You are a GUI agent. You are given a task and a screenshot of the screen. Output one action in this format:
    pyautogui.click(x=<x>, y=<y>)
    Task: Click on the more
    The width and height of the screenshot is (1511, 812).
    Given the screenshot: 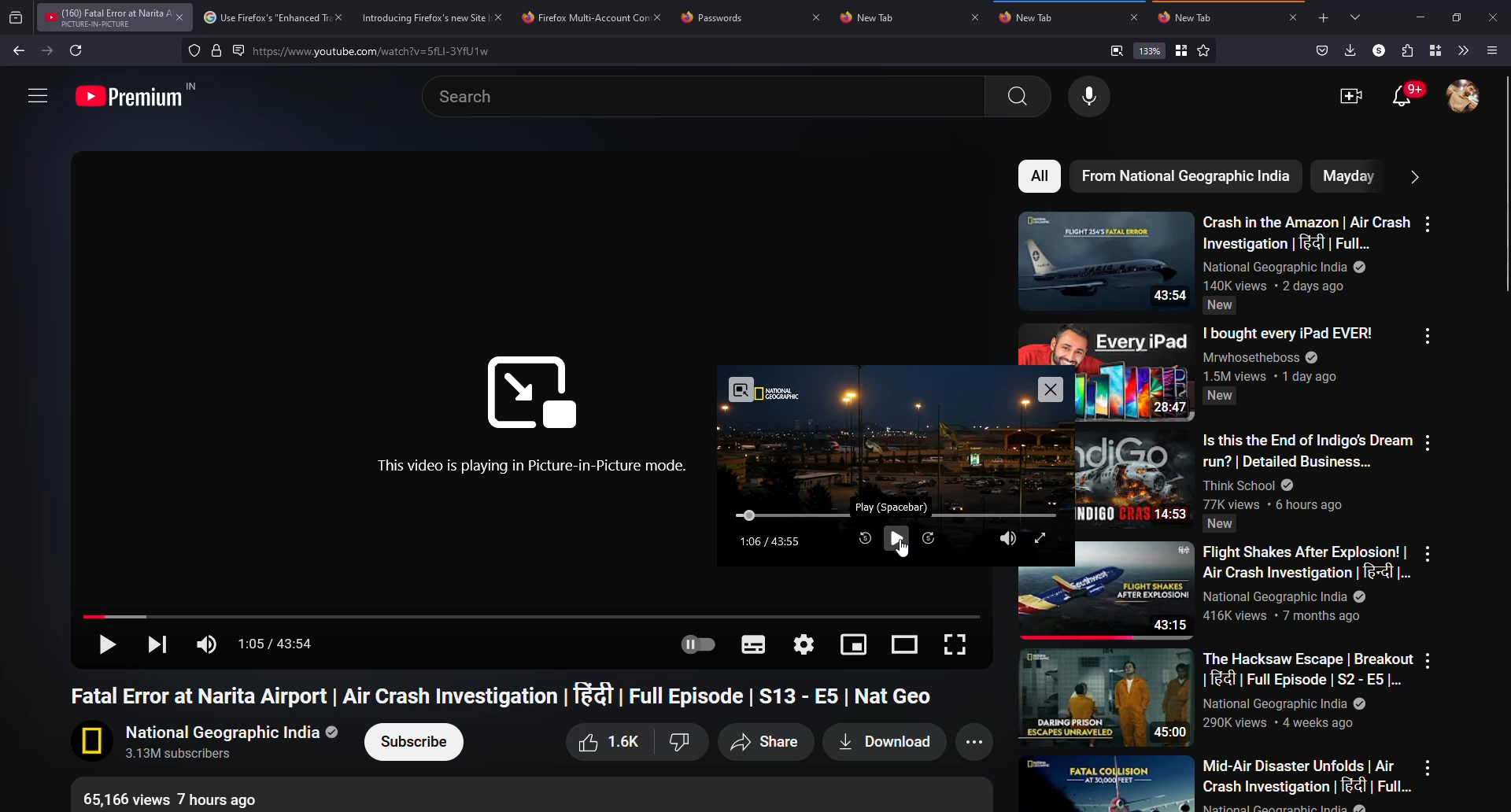 What is the action you would take?
    pyautogui.click(x=36, y=94)
    